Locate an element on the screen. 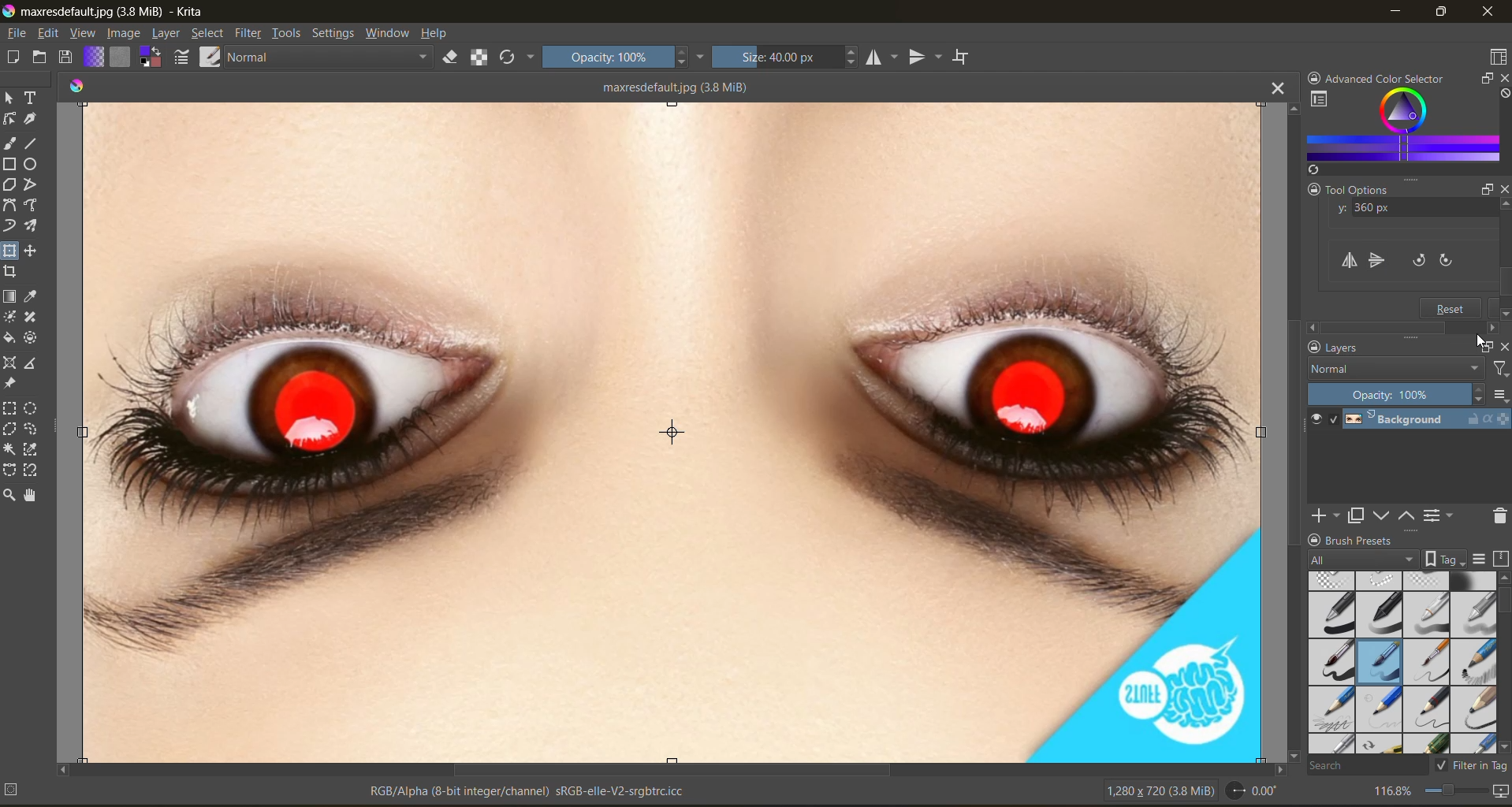 The image size is (1512, 807). fill gradients is located at coordinates (99, 57).